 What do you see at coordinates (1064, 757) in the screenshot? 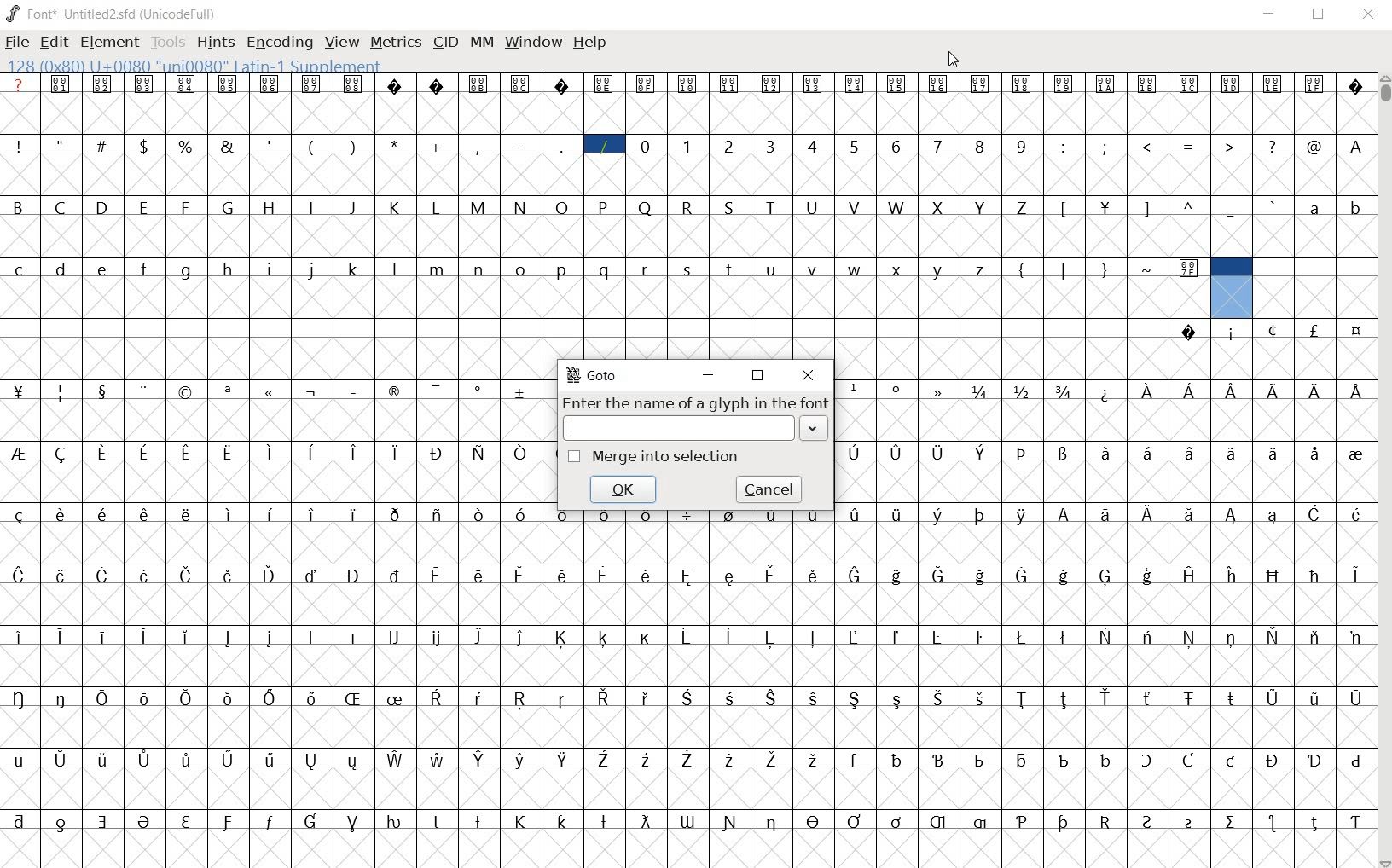
I see `Symbol` at bounding box center [1064, 757].